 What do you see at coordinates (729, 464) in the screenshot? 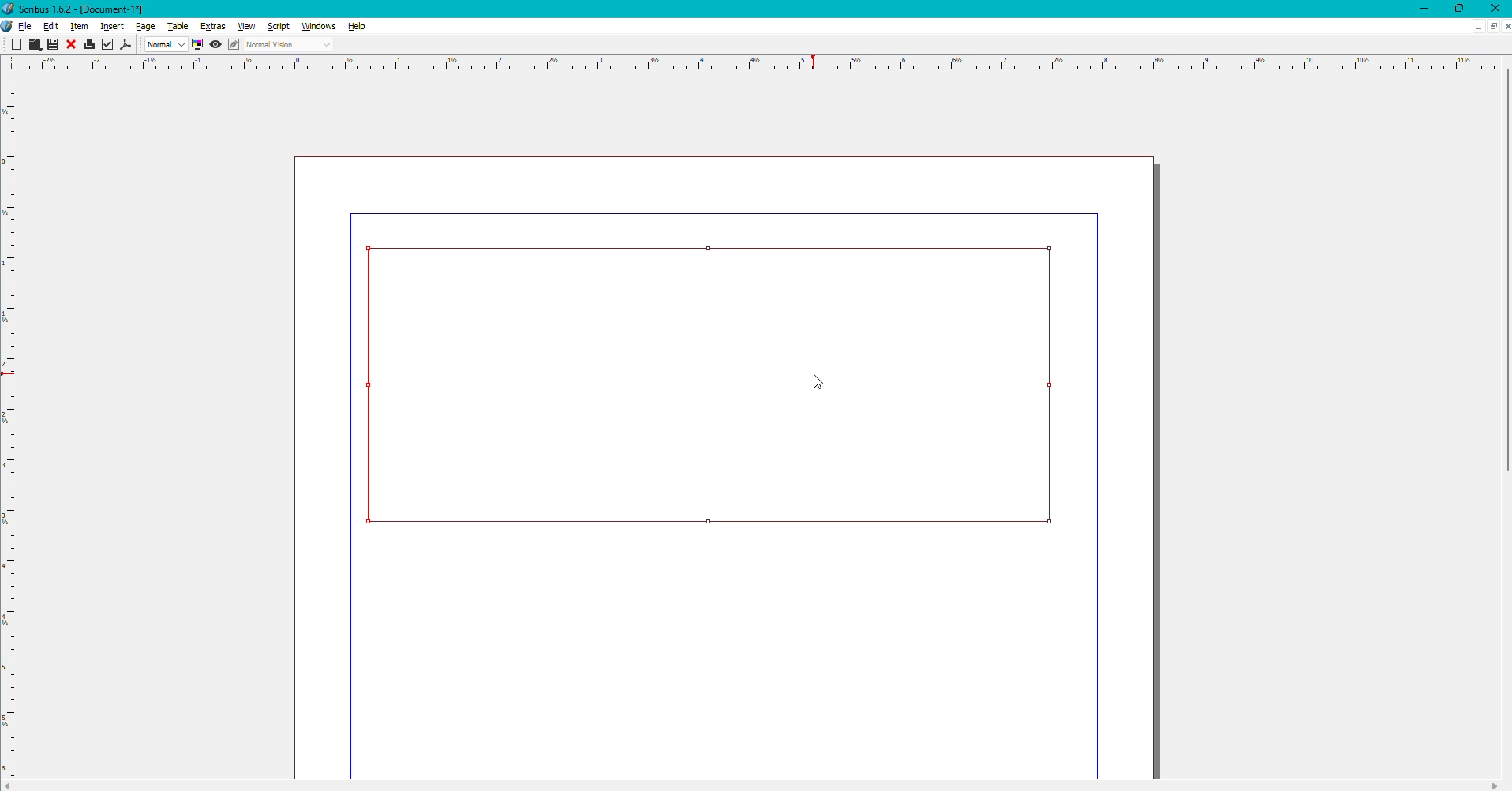
I see `page` at bounding box center [729, 464].